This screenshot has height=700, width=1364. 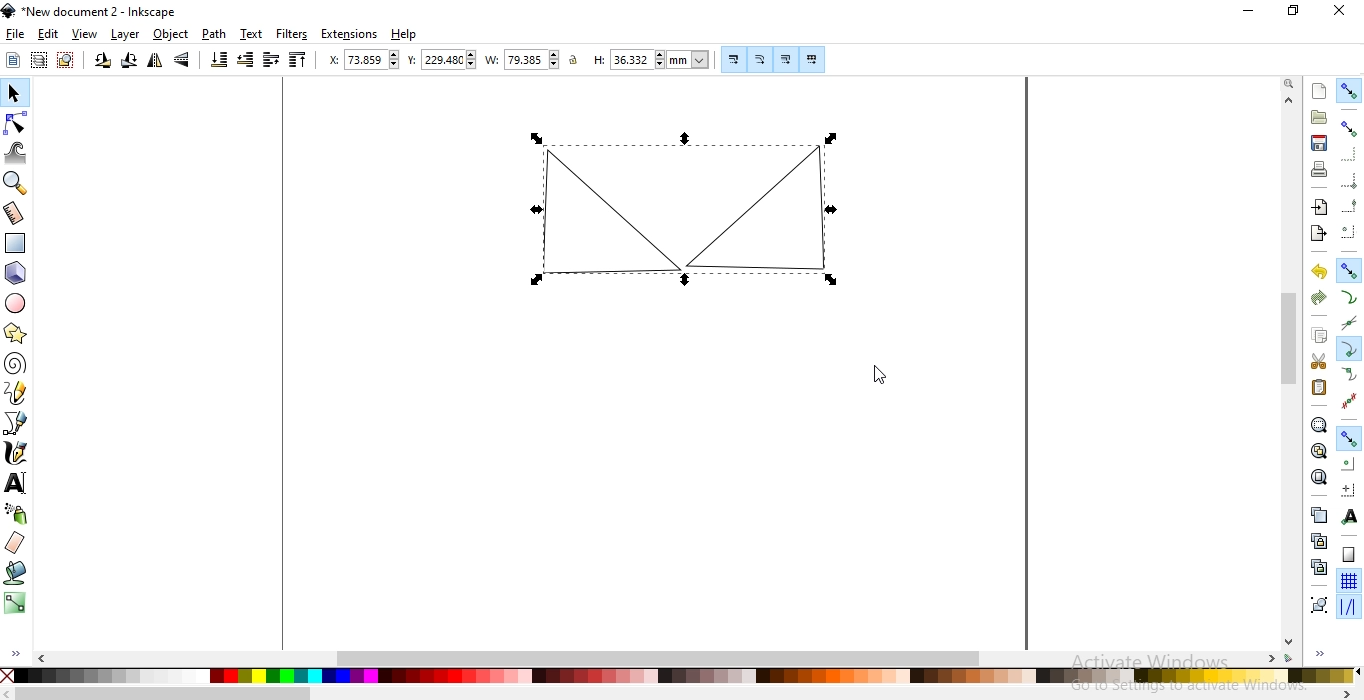 What do you see at coordinates (17, 302) in the screenshot?
I see `create circles, arcs and ellipses` at bounding box center [17, 302].